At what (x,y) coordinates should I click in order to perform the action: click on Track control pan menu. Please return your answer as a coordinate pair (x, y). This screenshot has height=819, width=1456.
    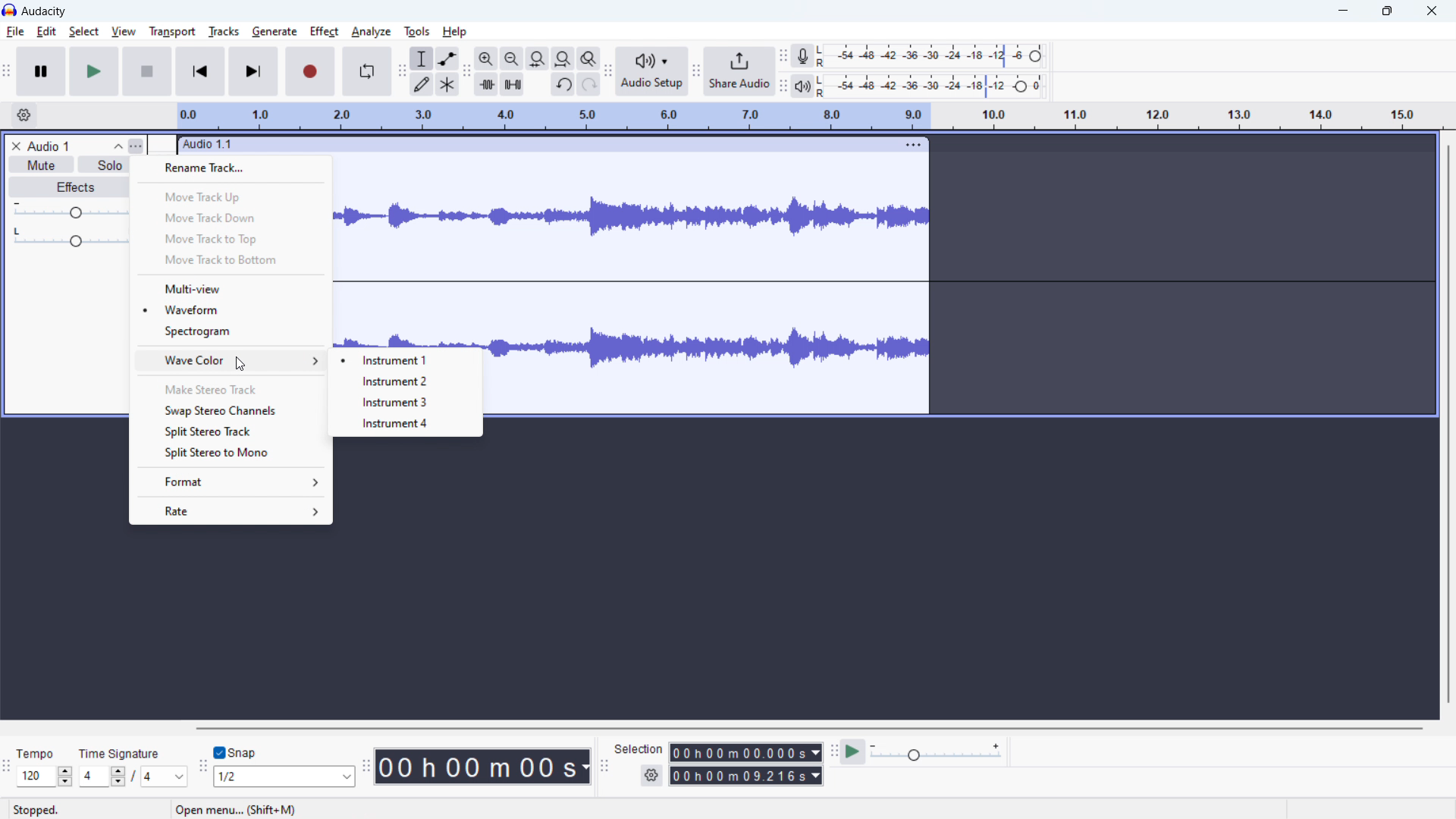
    Looking at the image, I should click on (136, 147).